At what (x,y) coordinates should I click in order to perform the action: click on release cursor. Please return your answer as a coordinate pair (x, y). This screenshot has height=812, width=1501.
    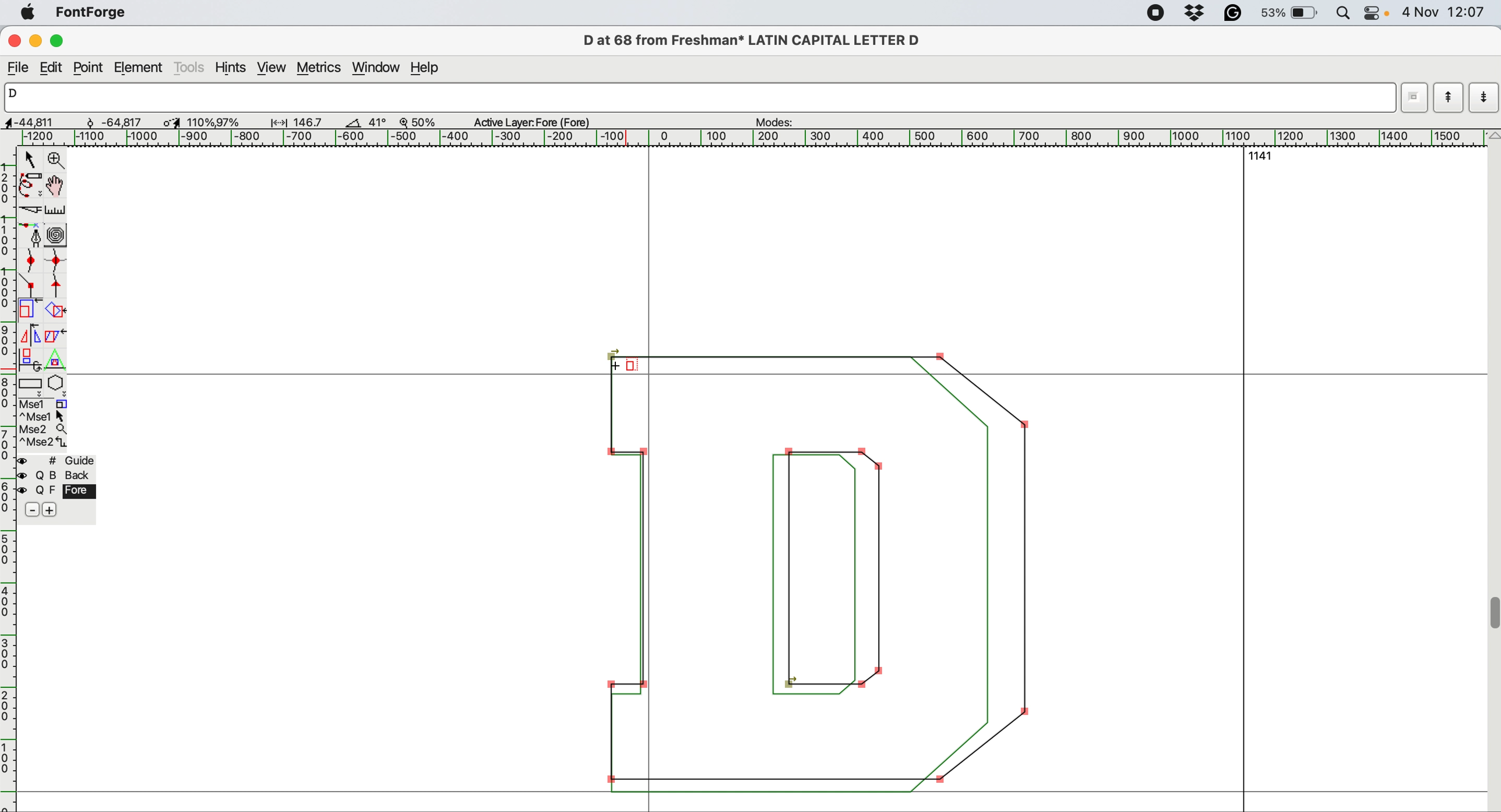
    Looking at the image, I should click on (629, 366).